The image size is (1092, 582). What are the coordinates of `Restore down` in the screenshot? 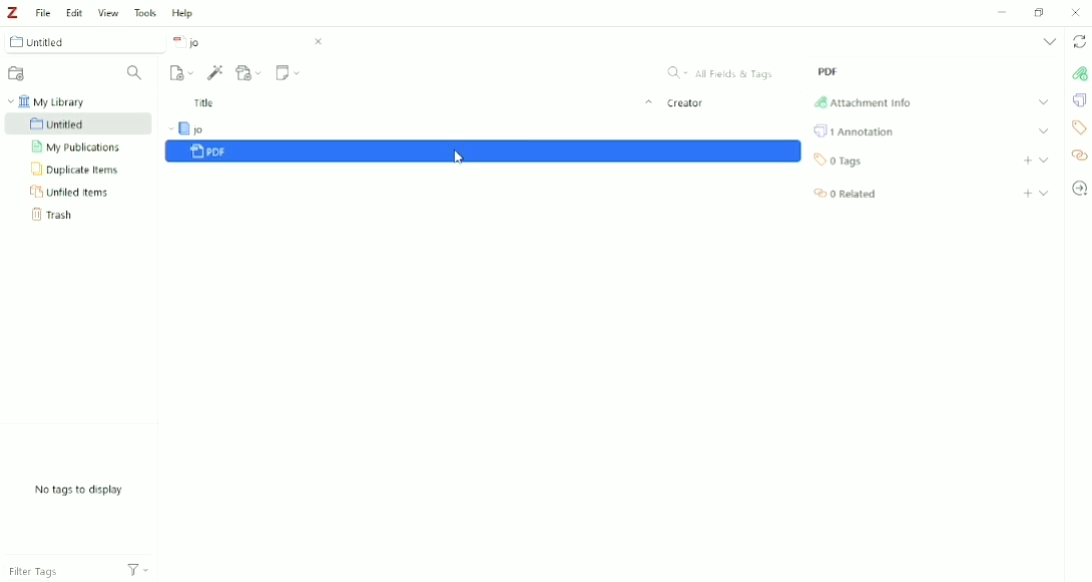 It's located at (1040, 13).